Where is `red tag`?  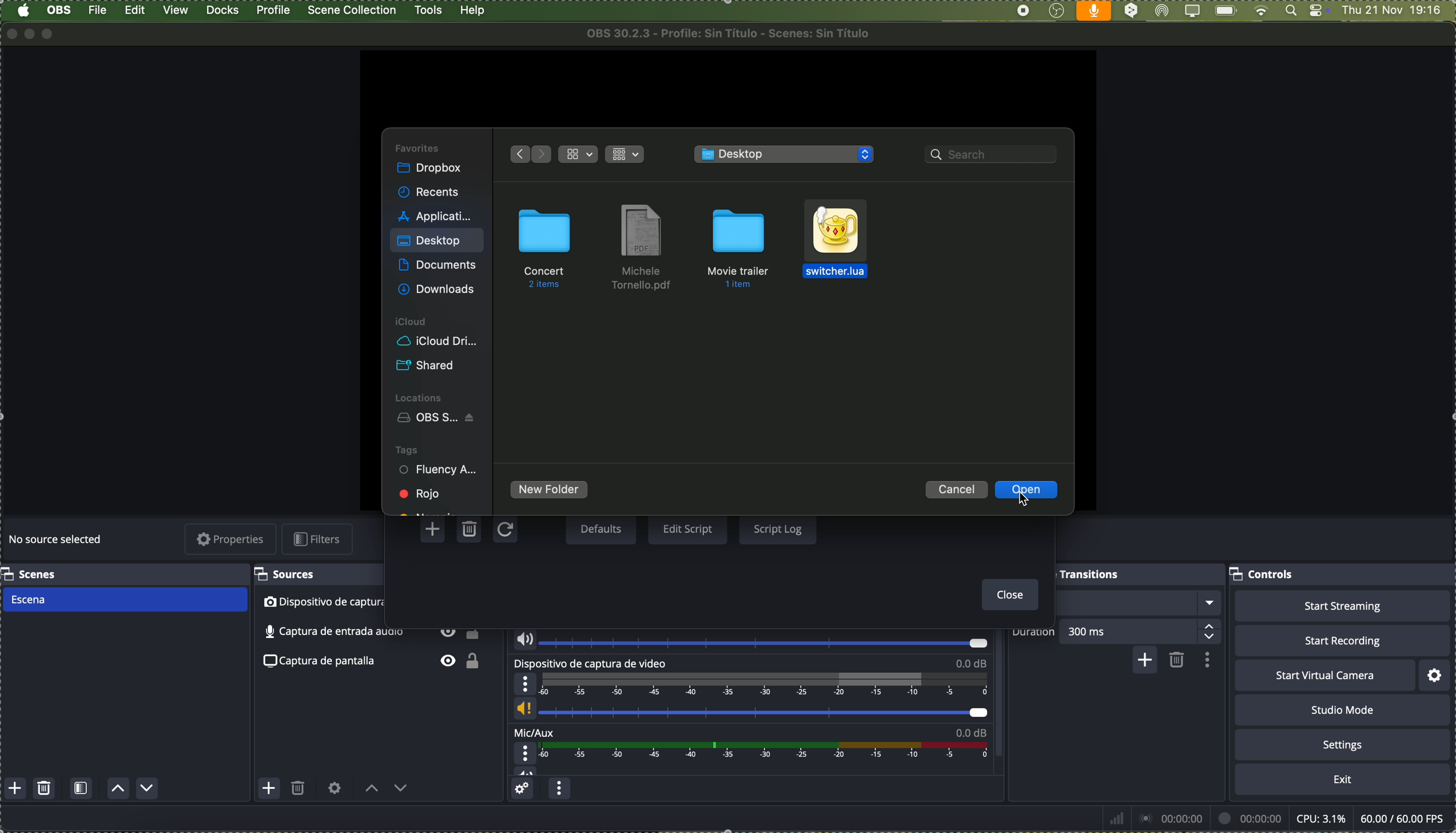 red tag is located at coordinates (421, 493).